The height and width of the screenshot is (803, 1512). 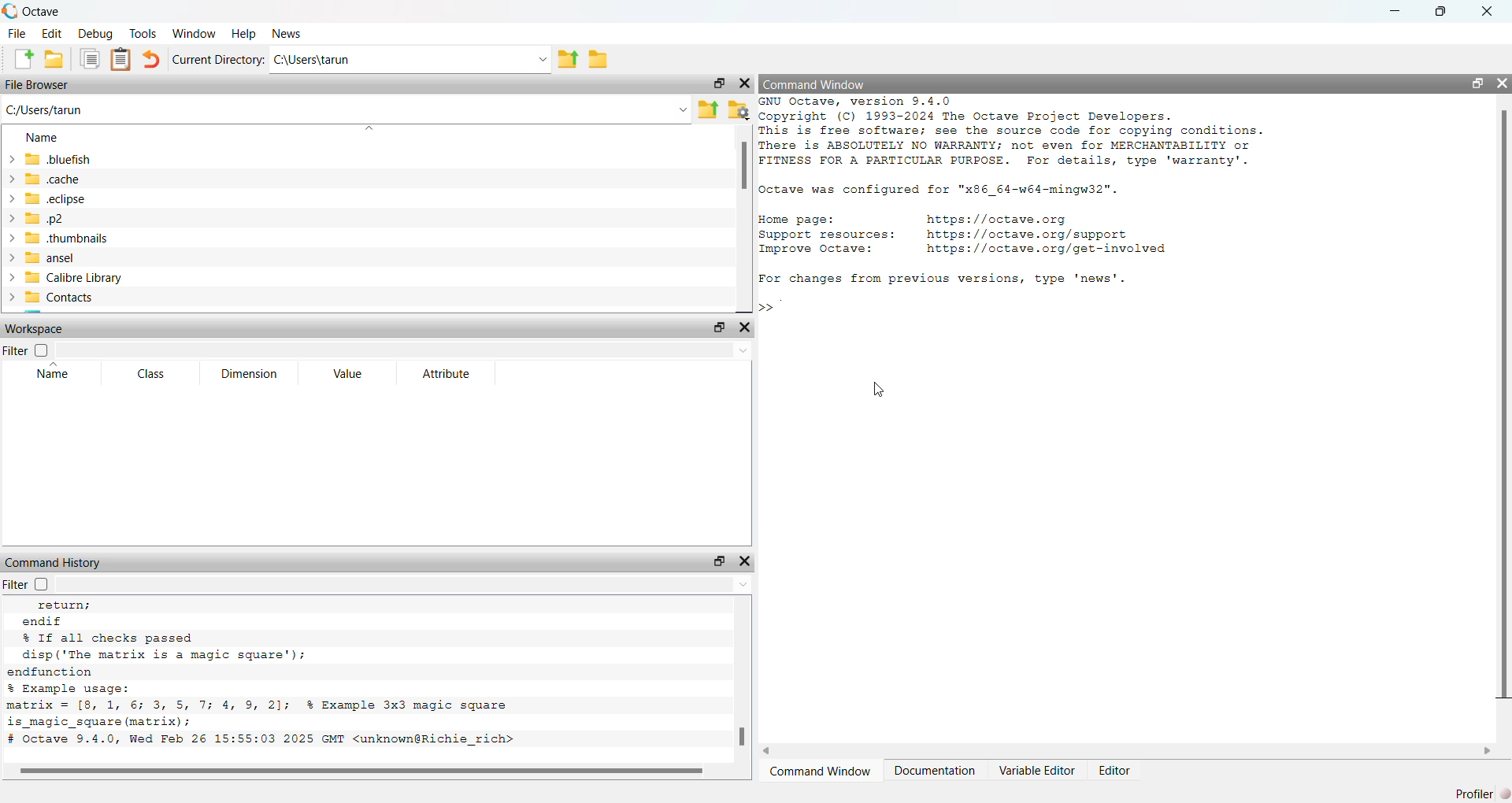 What do you see at coordinates (288, 33) in the screenshot?
I see `News` at bounding box center [288, 33].